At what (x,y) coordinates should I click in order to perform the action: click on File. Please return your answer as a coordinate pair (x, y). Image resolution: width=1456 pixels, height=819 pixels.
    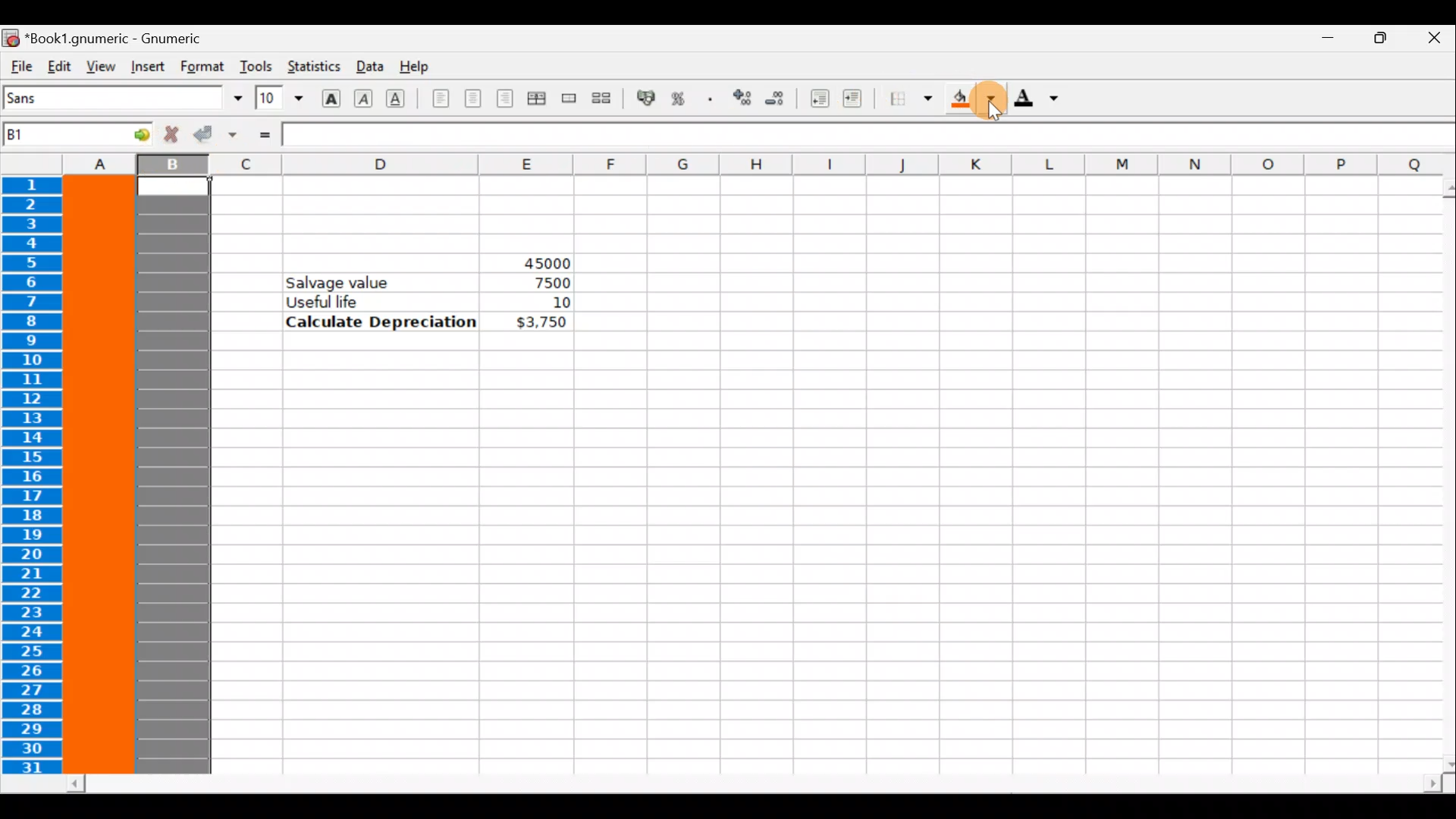
    Looking at the image, I should click on (20, 67).